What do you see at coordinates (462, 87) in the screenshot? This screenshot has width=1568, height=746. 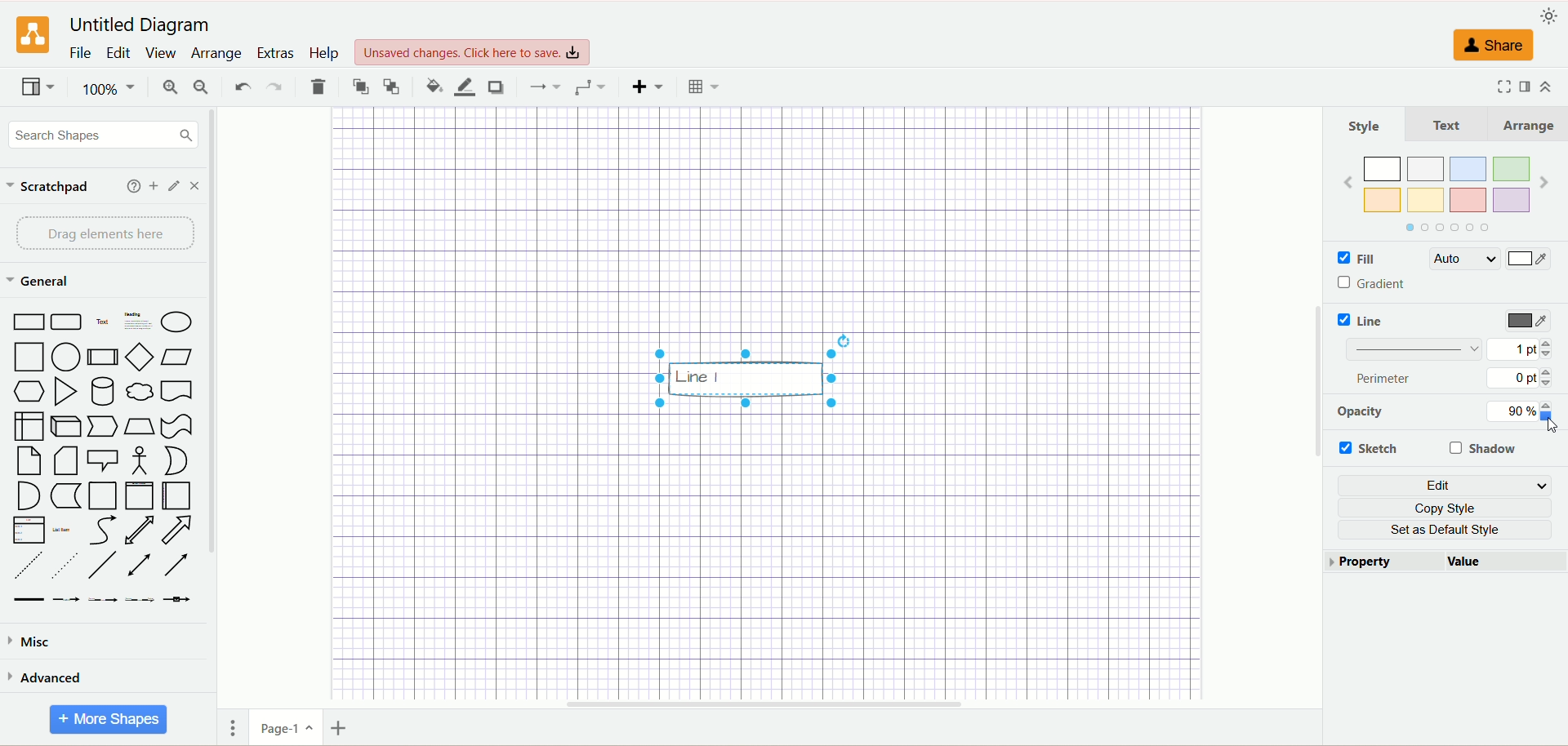 I see `line color` at bounding box center [462, 87].